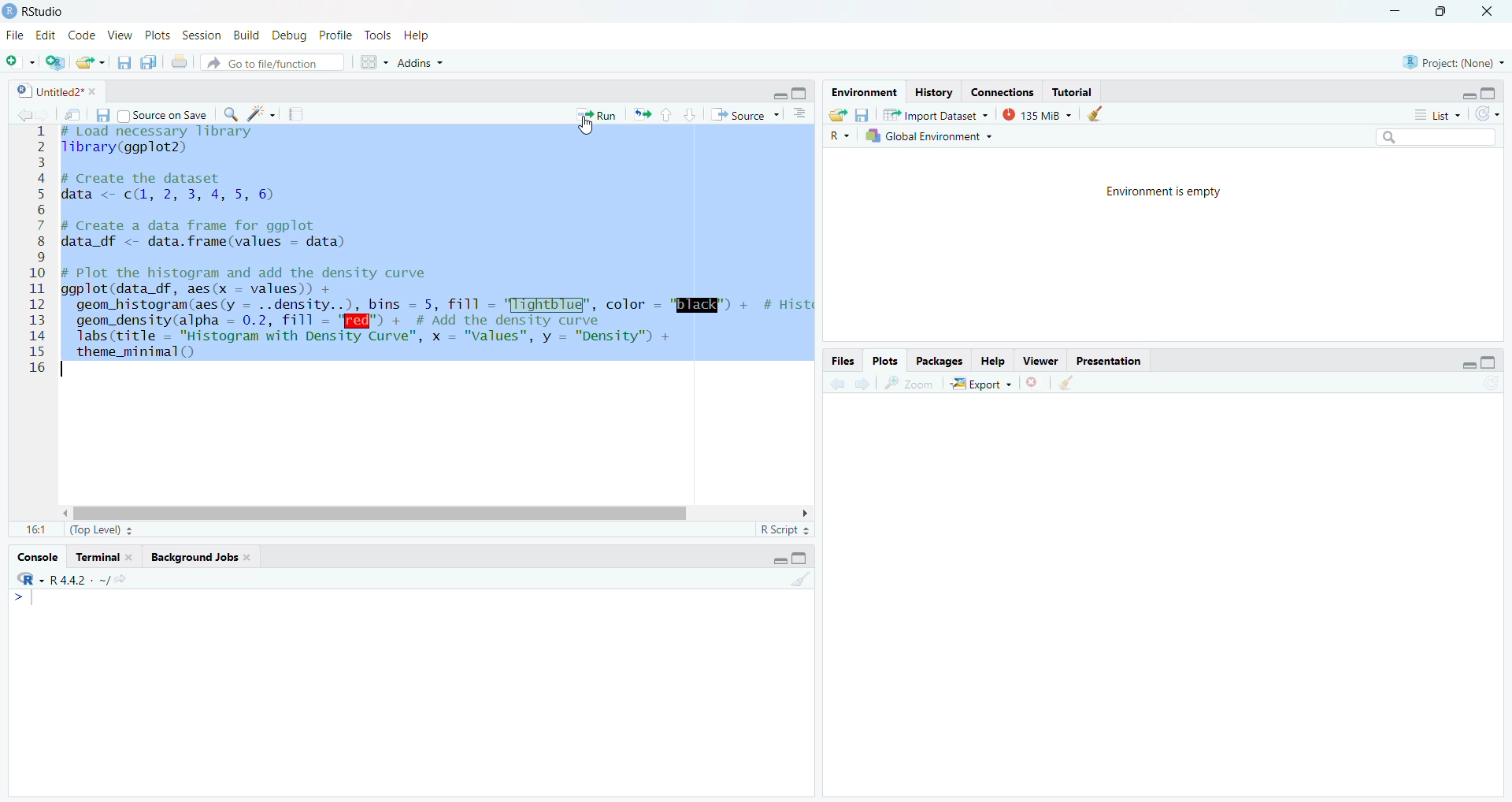 This screenshot has height=802, width=1512. Describe the element at coordinates (95, 89) in the screenshot. I see `close` at that location.